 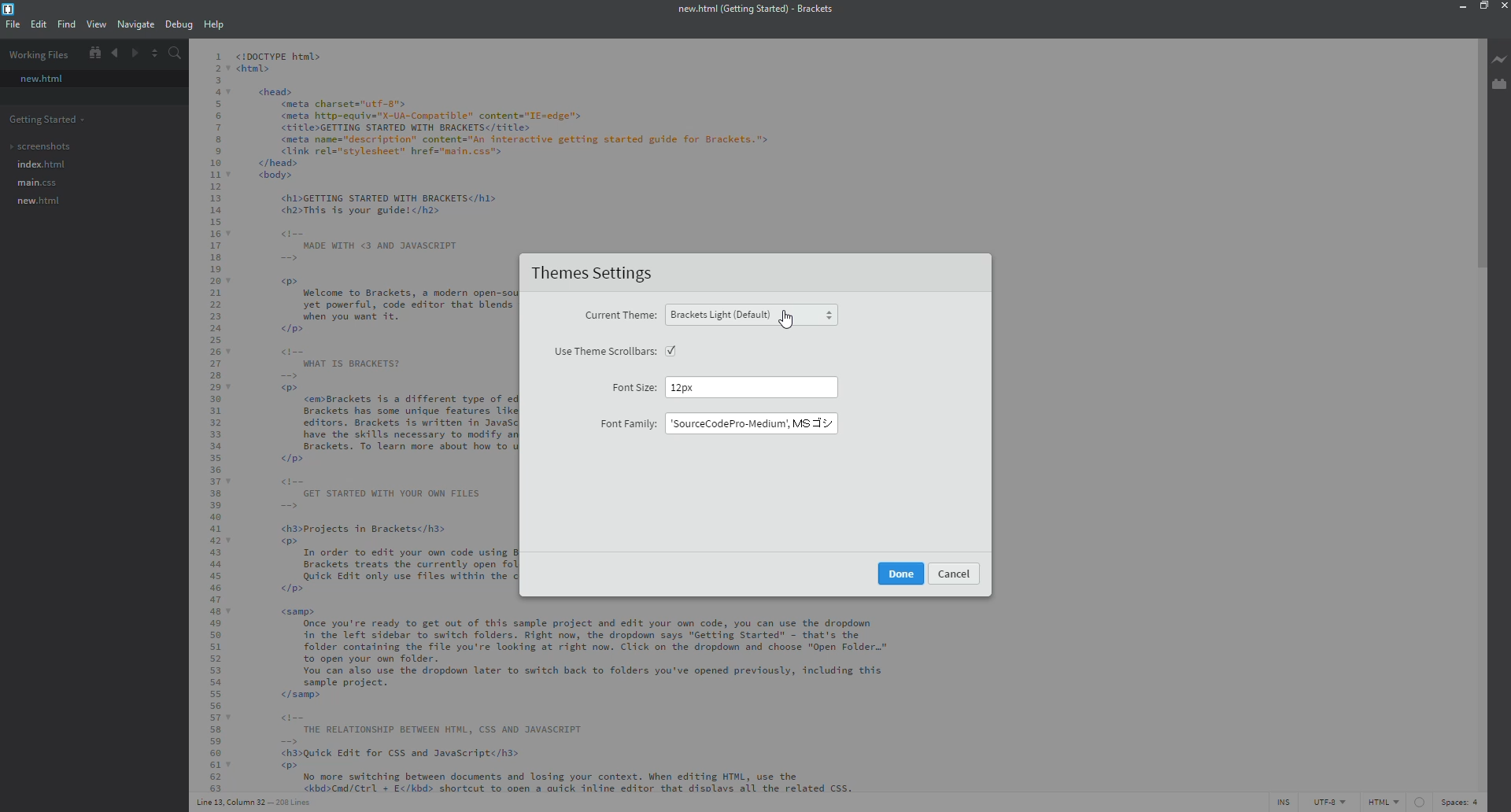 I want to click on find, so click(x=65, y=24).